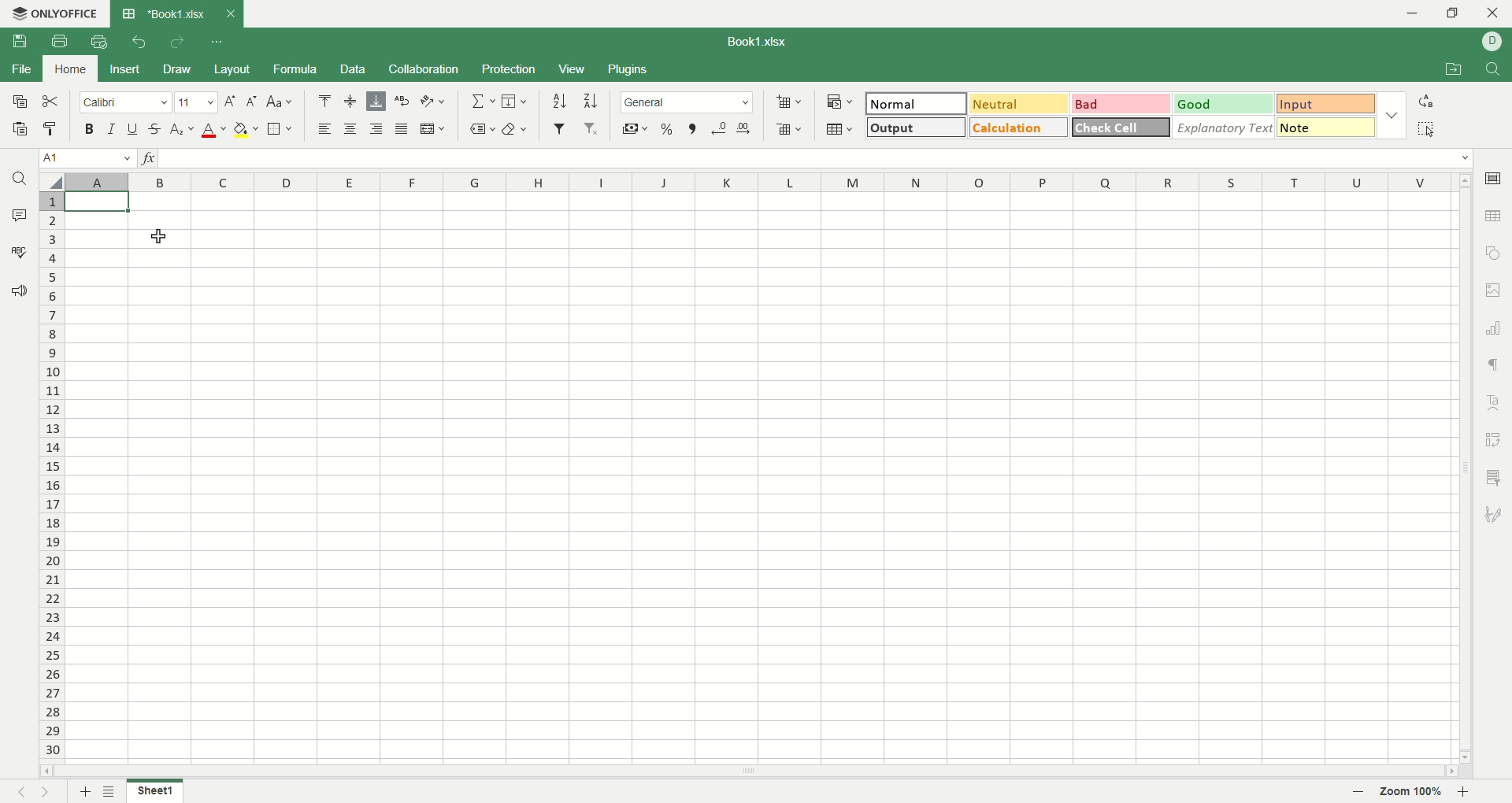  I want to click on input, so click(1327, 127).